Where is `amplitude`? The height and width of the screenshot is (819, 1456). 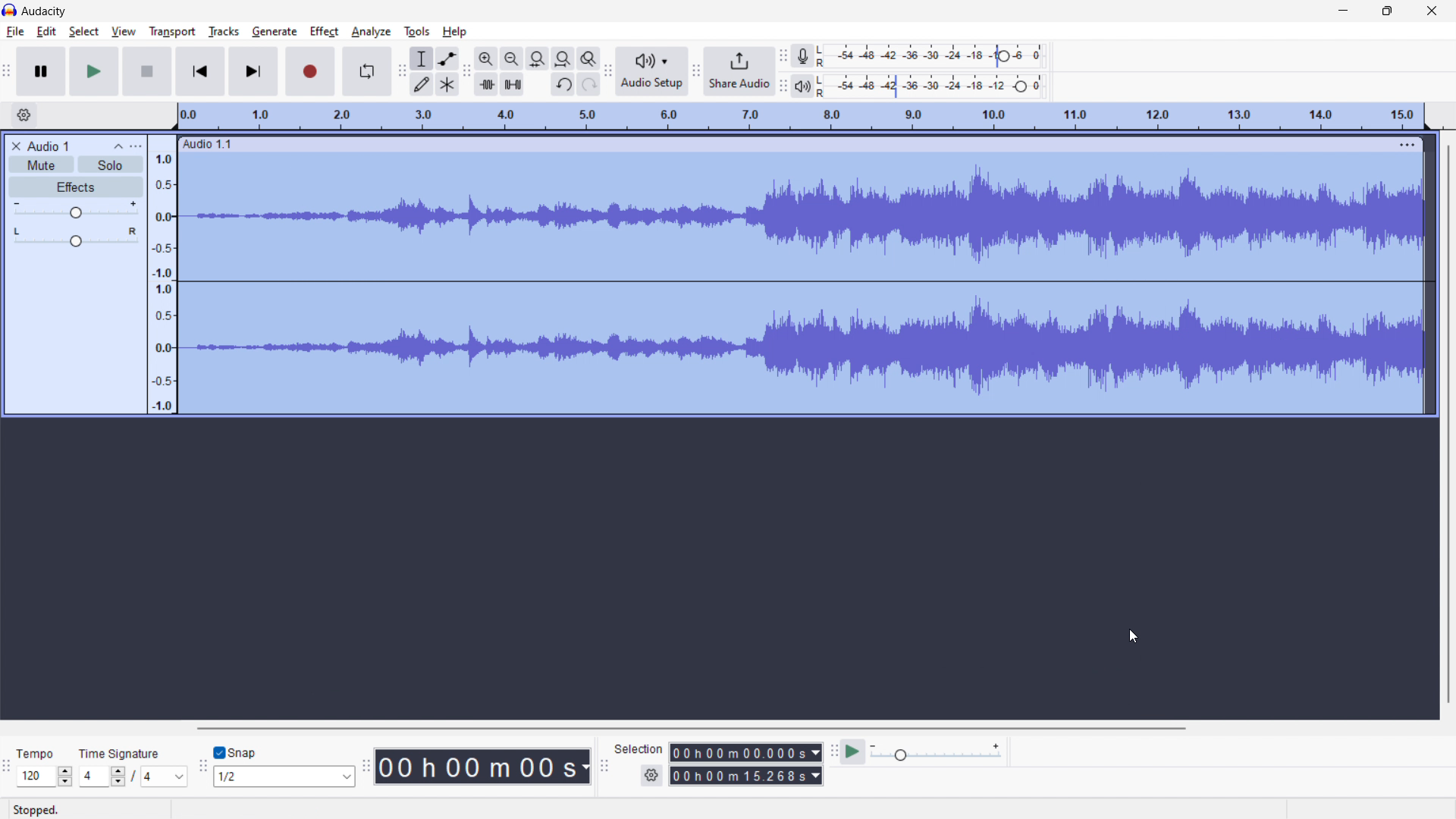
amplitude is located at coordinates (163, 274).